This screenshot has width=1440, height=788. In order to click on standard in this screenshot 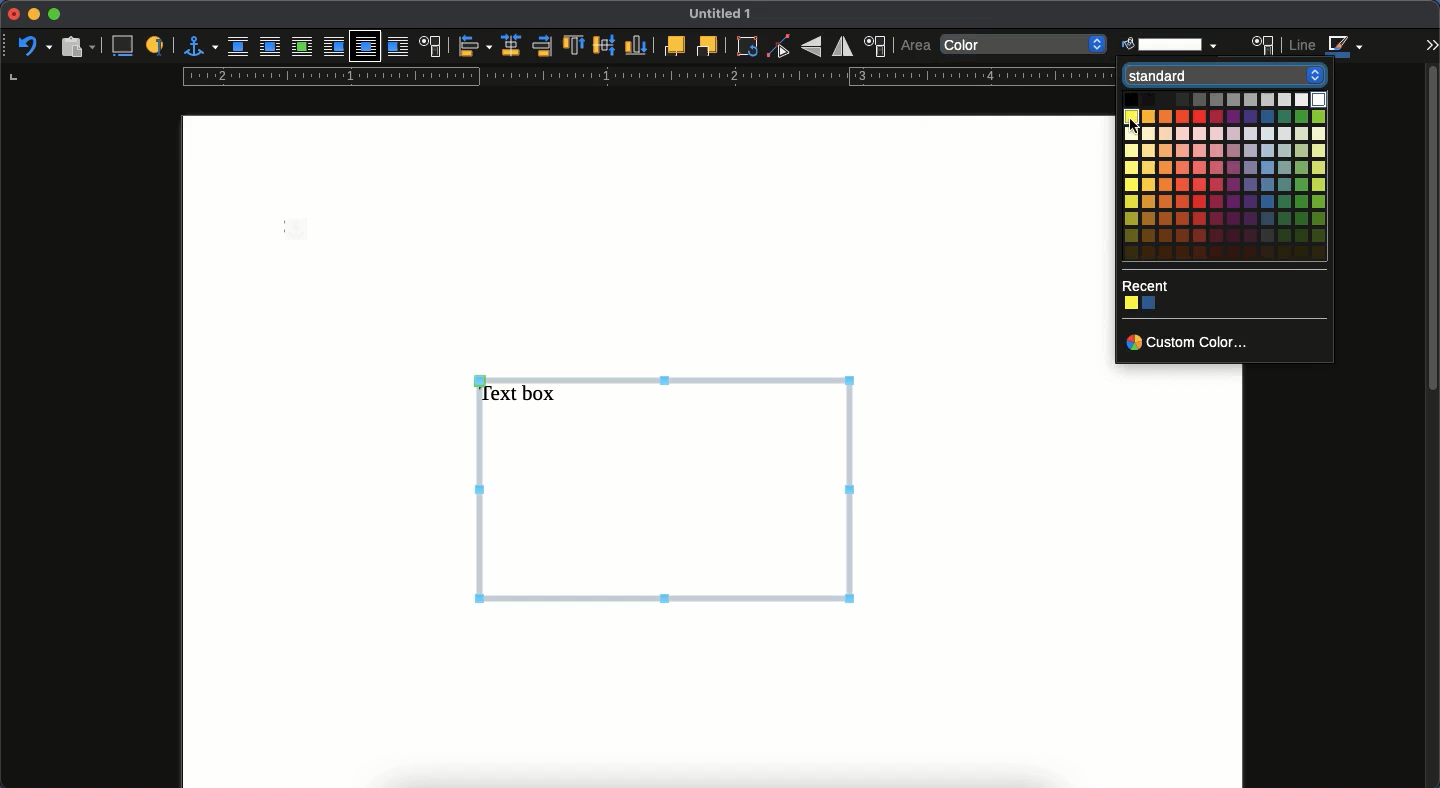, I will do `click(1220, 76)`.